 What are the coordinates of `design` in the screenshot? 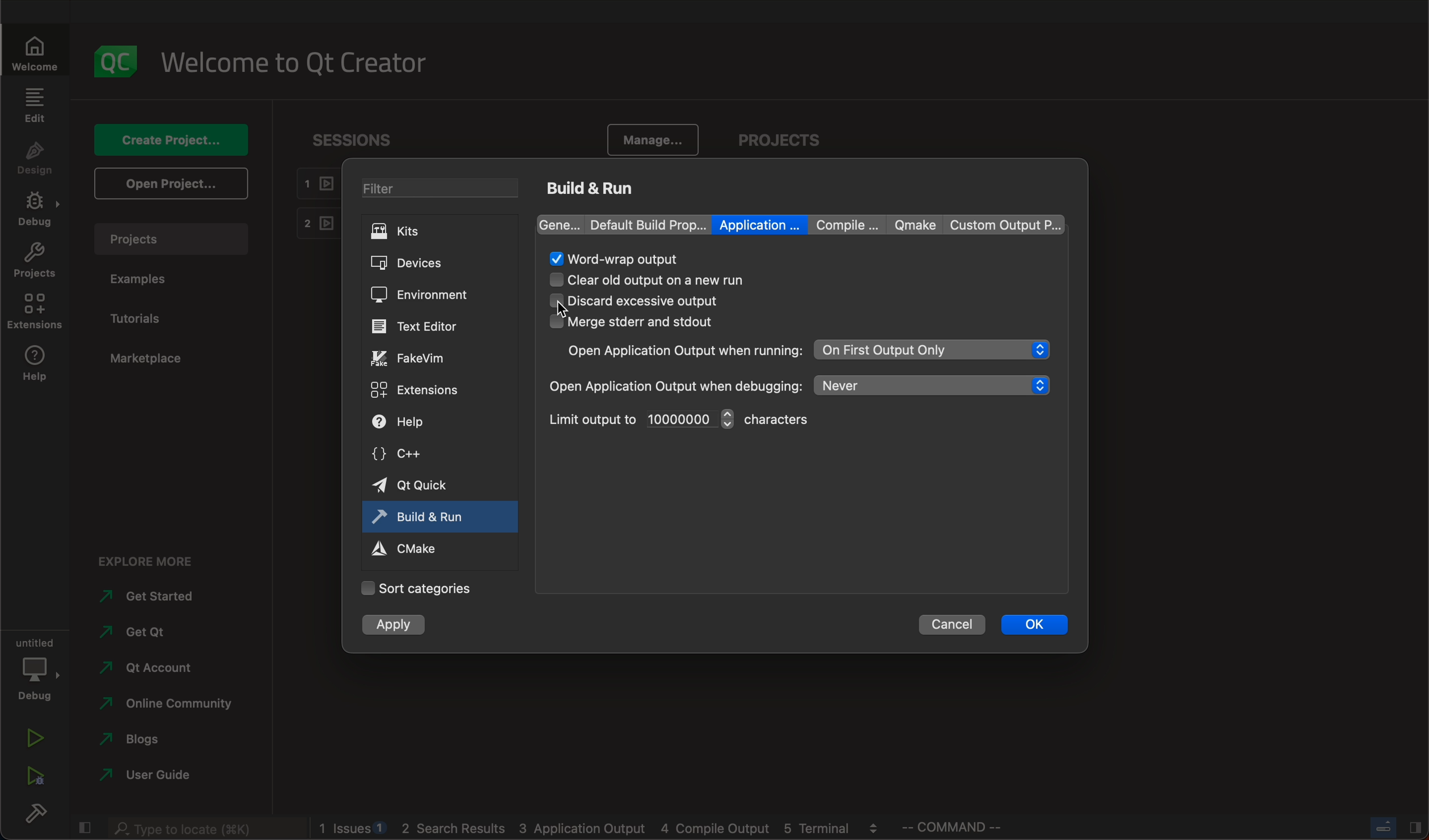 It's located at (36, 156).